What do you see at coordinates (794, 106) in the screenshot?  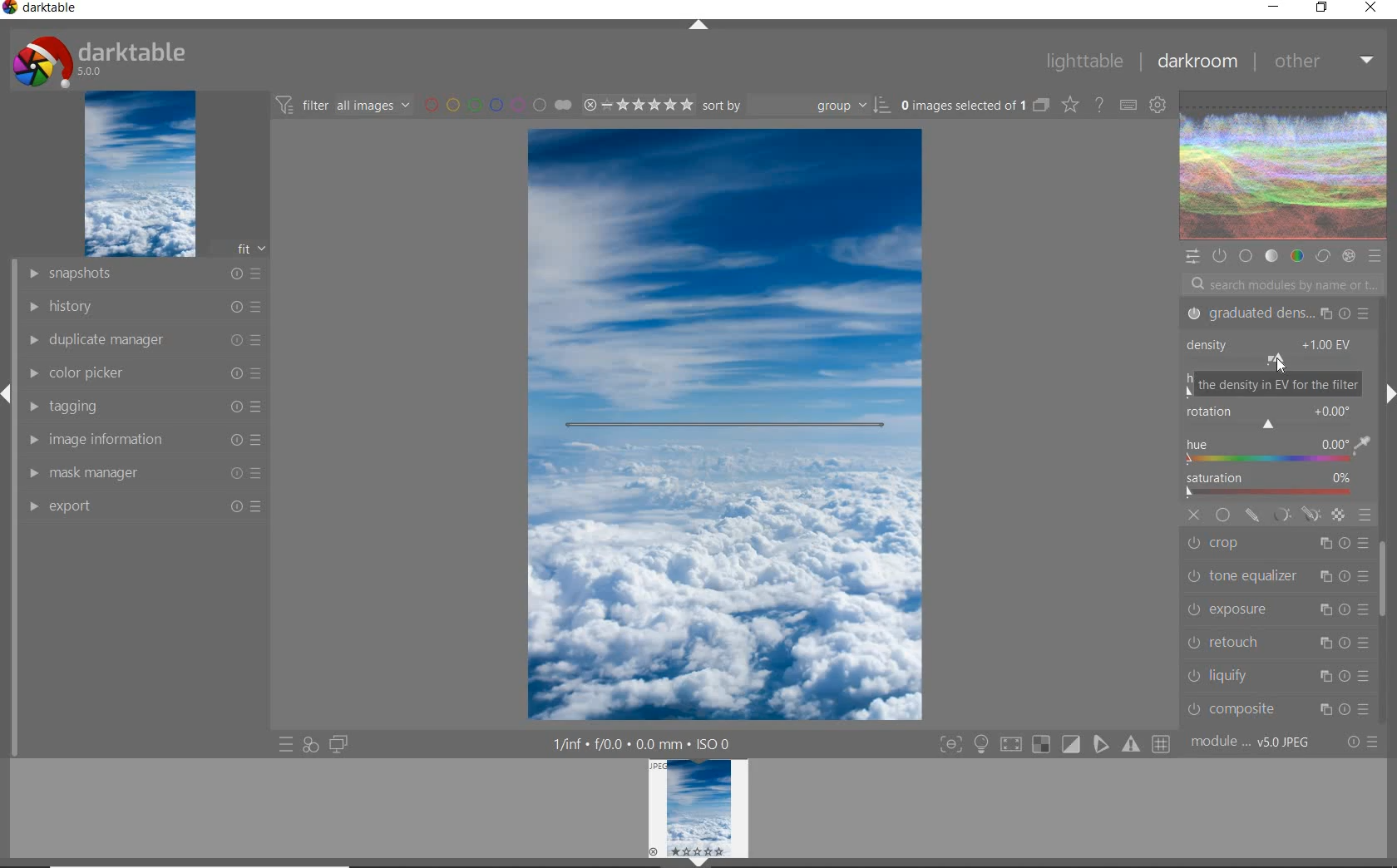 I see `sort by group` at bounding box center [794, 106].